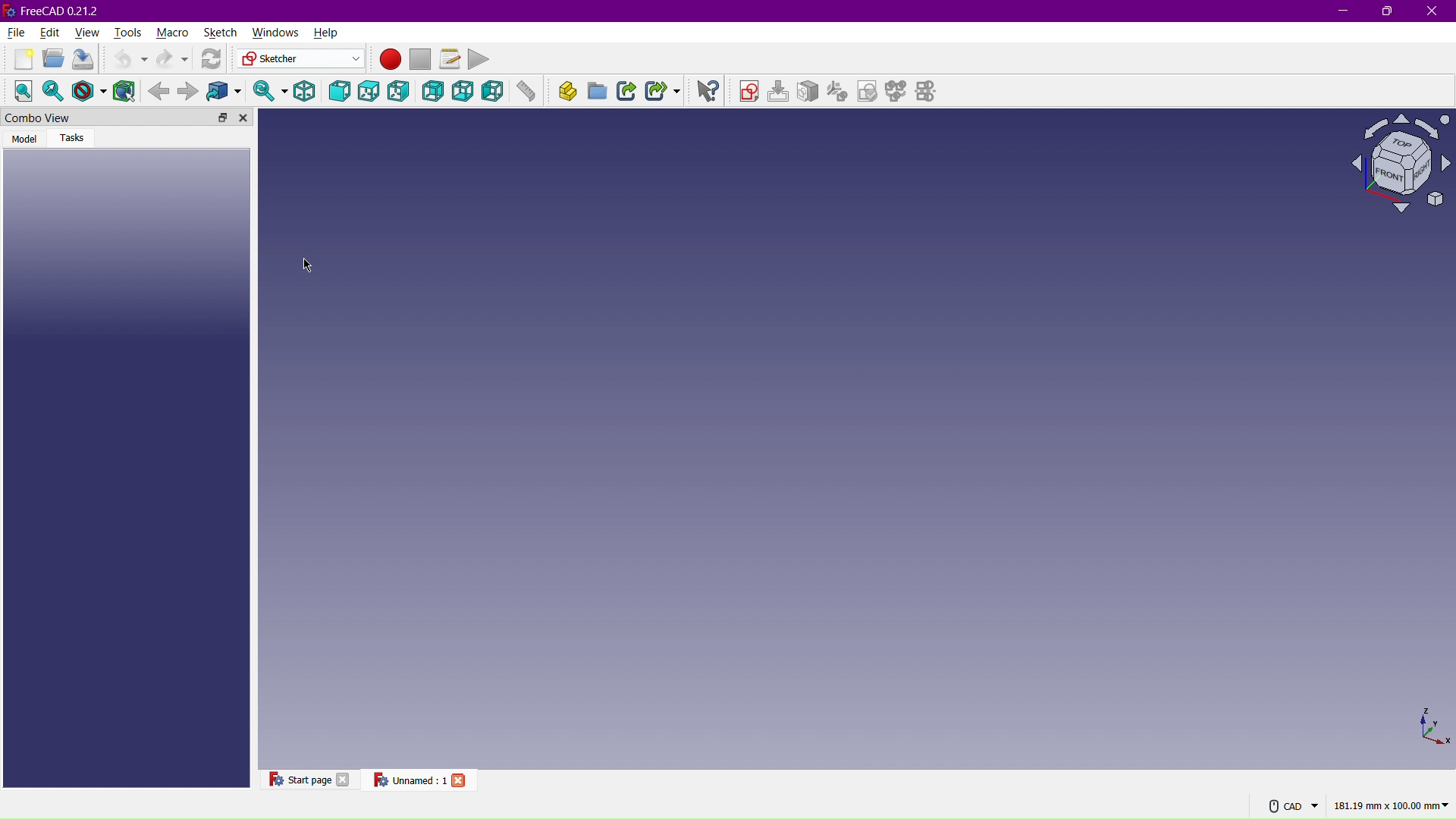  Describe the element at coordinates (172, 32) in the screenshot. I see `Macro` at that location.